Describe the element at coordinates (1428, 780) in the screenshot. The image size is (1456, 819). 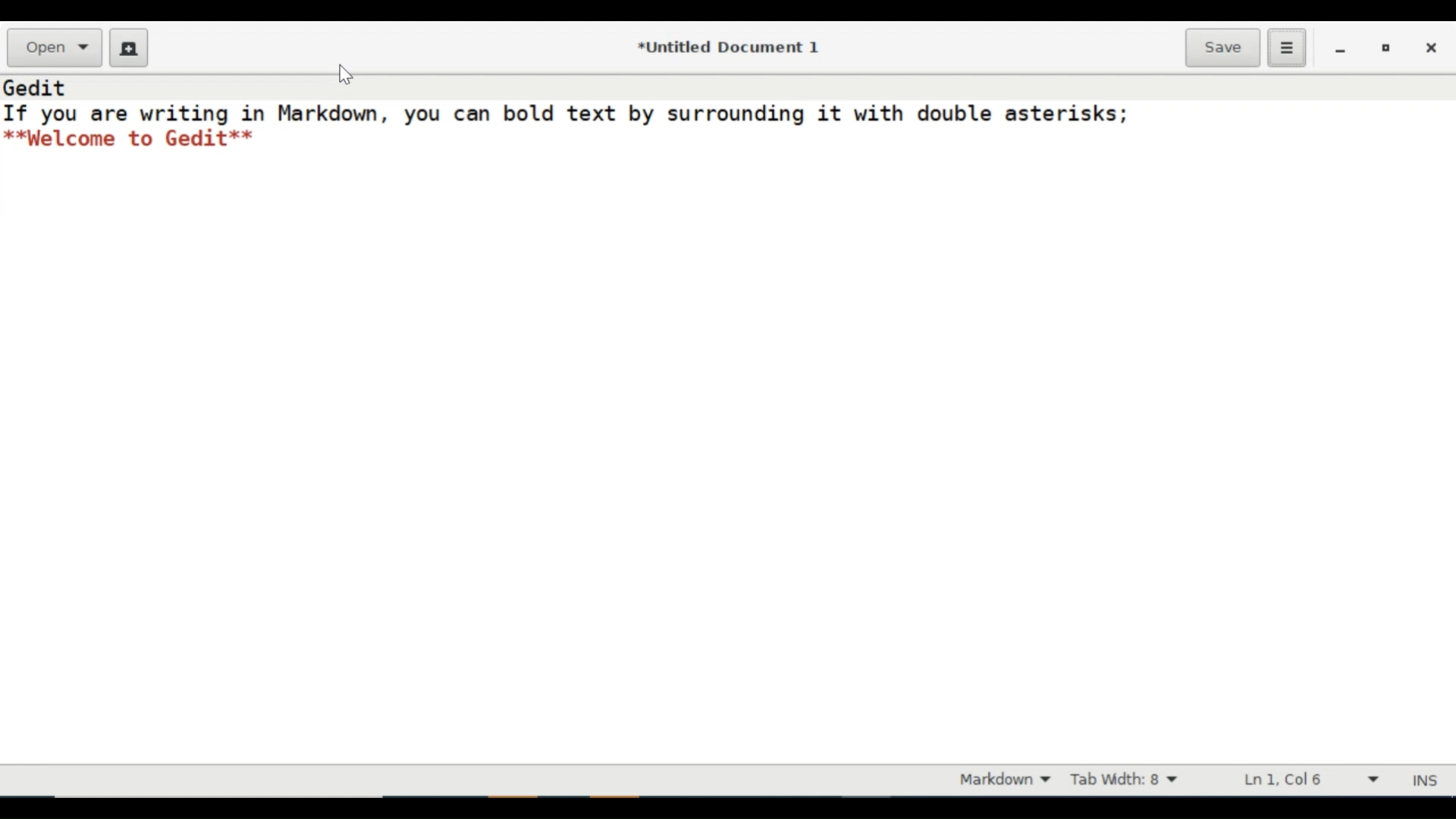
I see `INS` at that location.